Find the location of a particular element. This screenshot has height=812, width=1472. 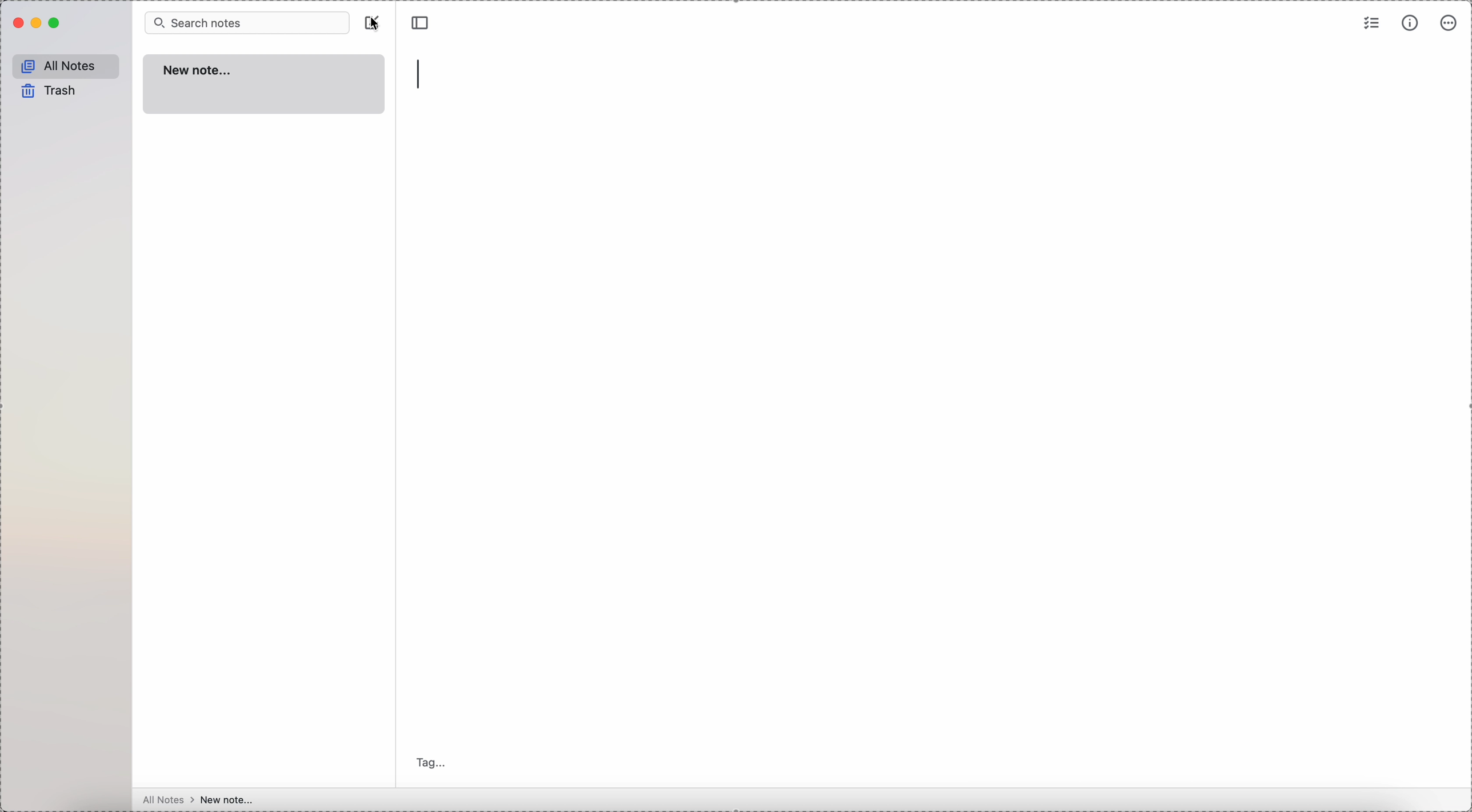

trash is located at coordinates (47, 91).